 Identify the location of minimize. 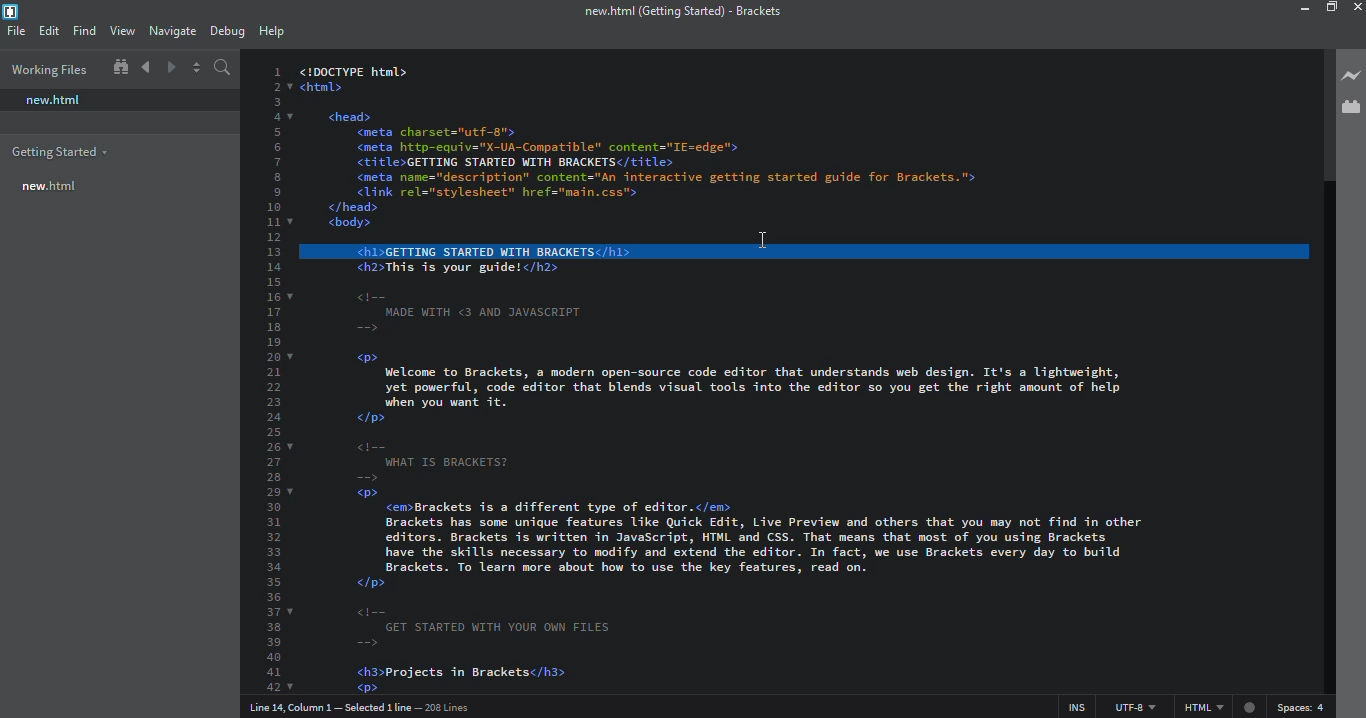
(1292, 10).